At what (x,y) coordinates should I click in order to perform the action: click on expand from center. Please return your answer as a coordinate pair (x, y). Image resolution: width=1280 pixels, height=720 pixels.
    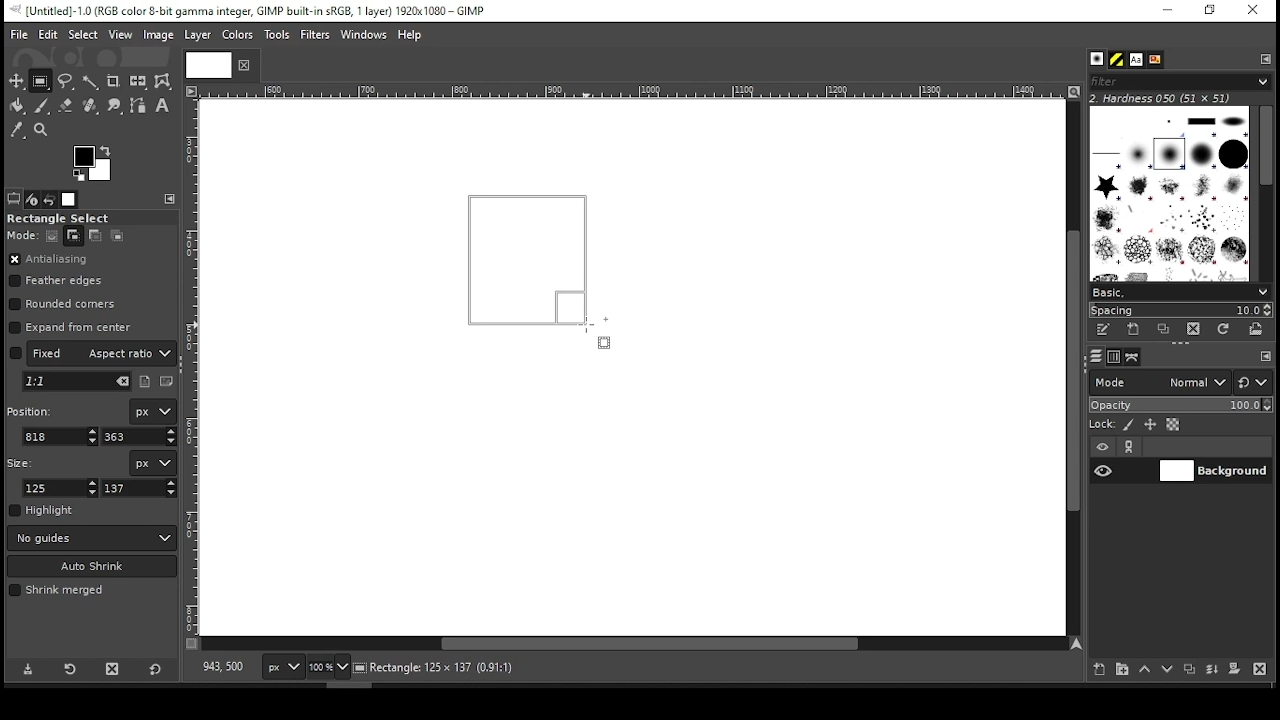
    Looking at the image, I should click on (71, 325).